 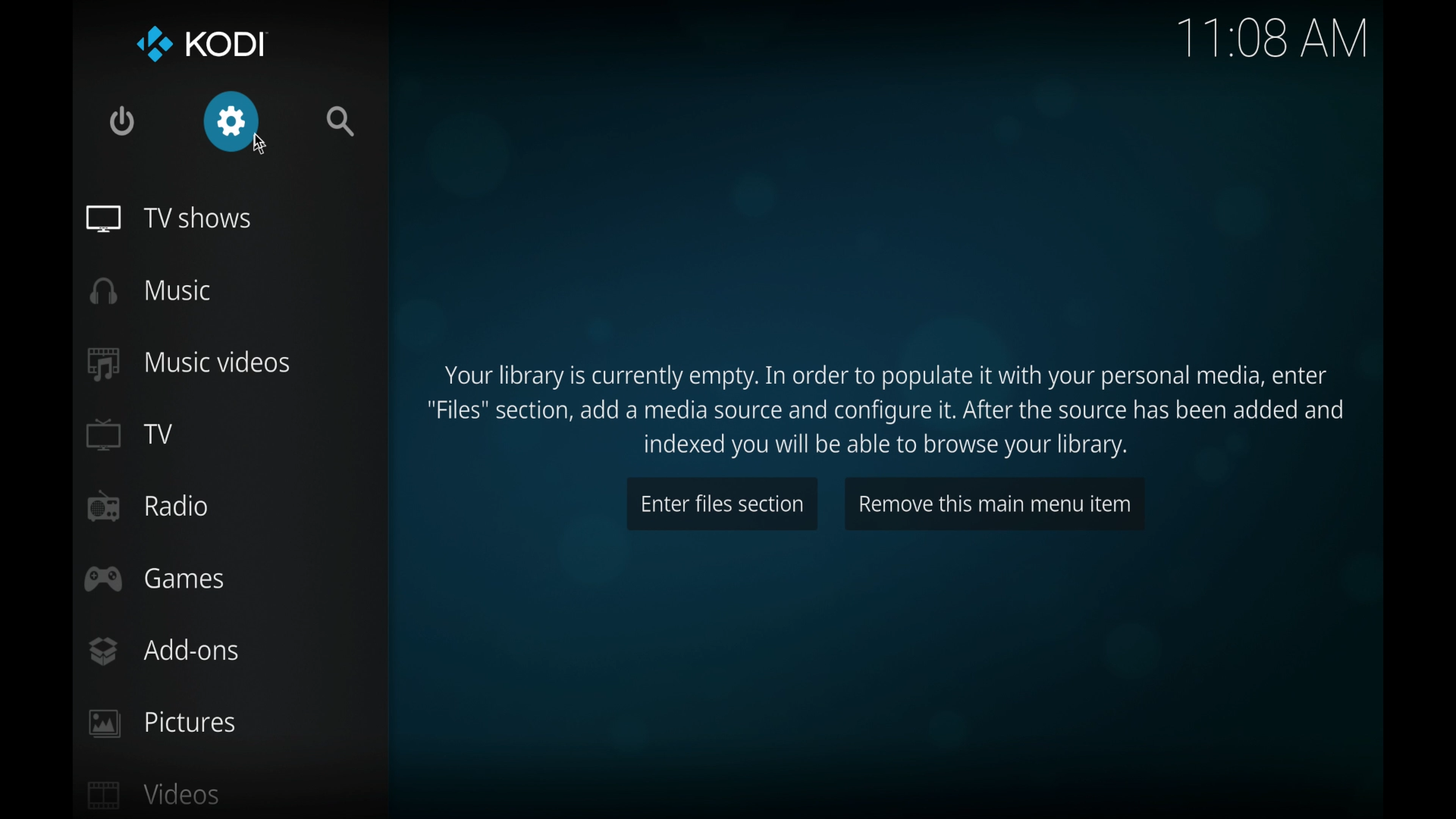 I want to click on tv shows, so click(x=173, y=218).